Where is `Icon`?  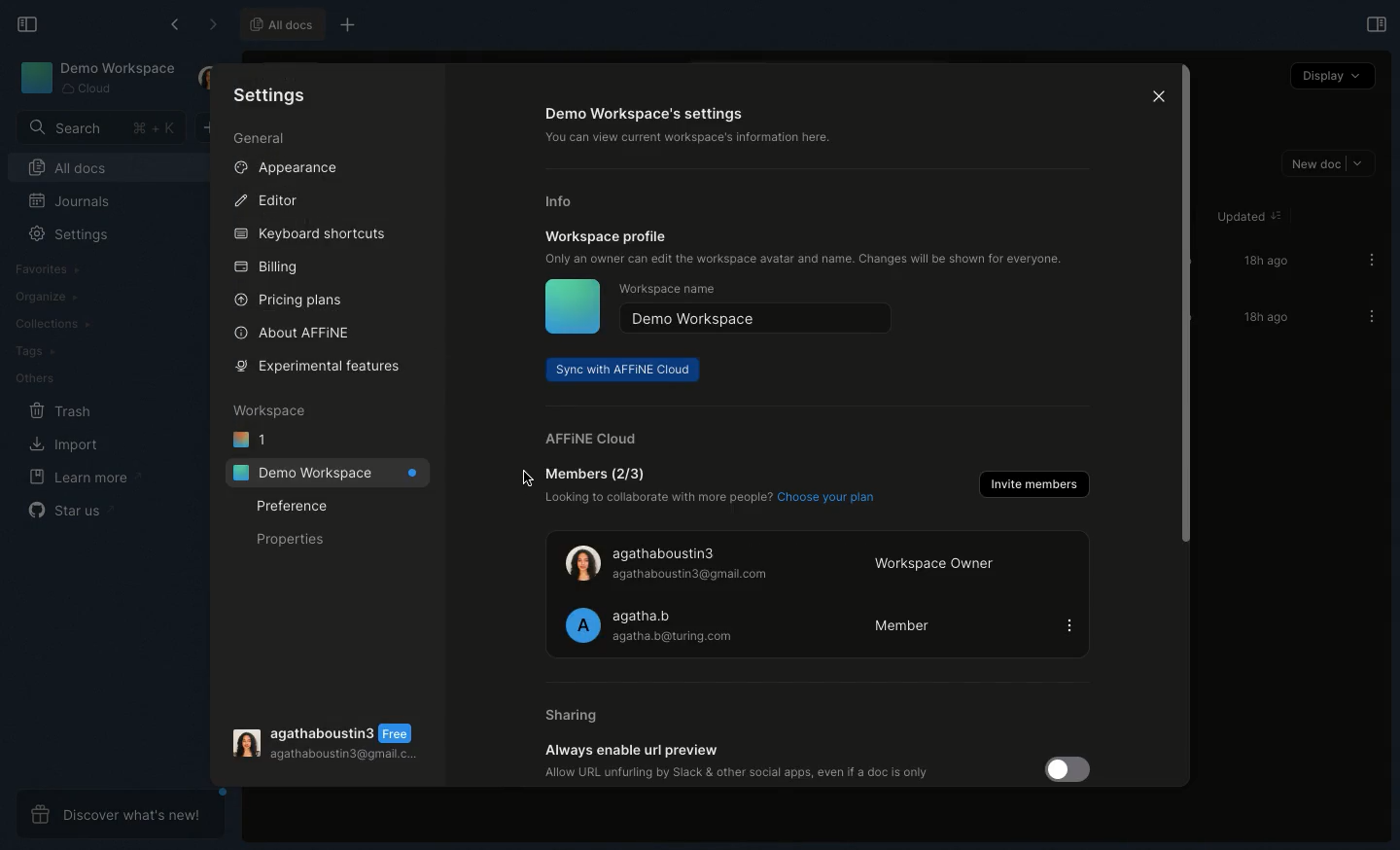
Icon is located at coordinates (570, 306).